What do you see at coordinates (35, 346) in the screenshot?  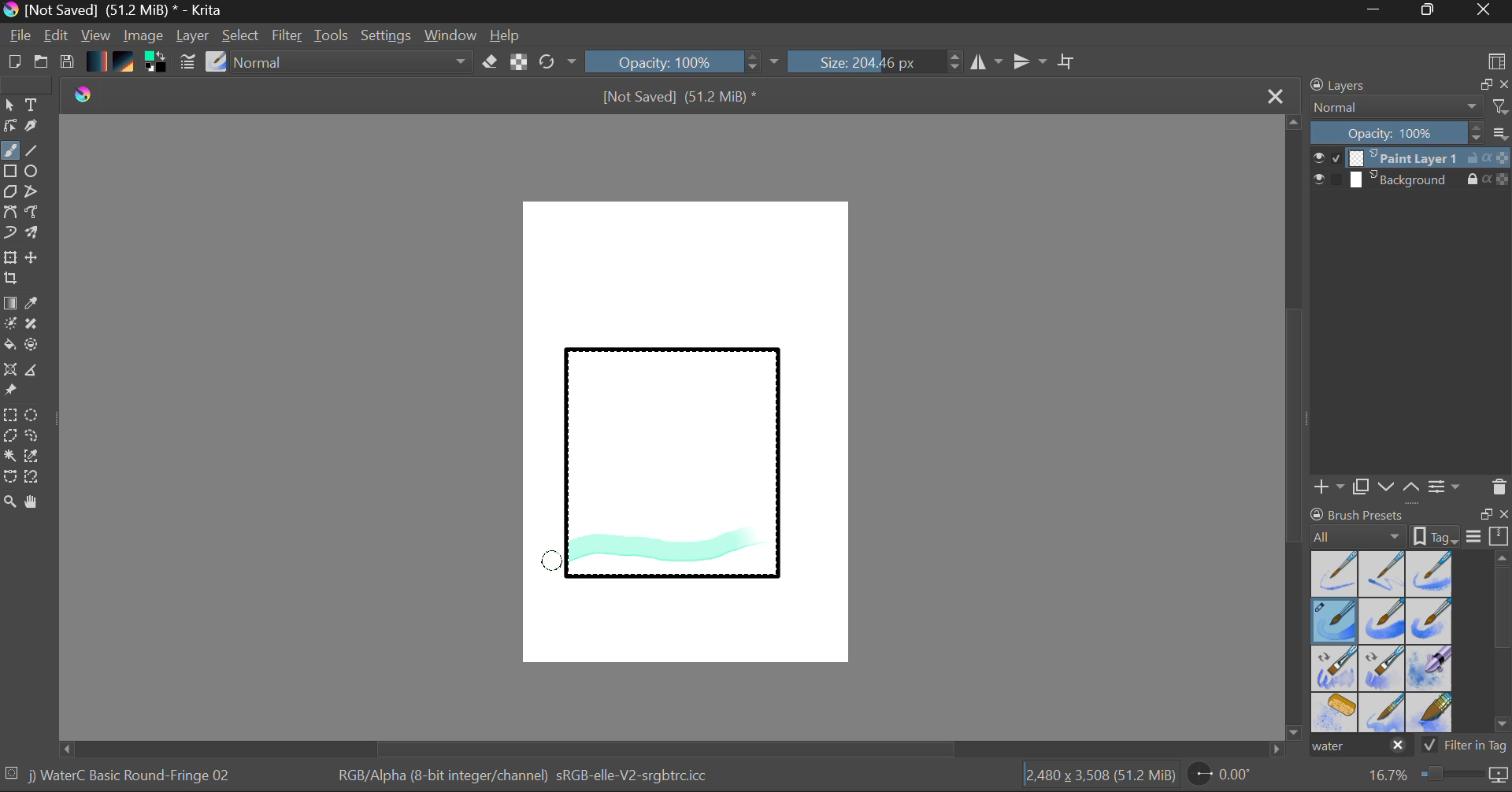 I see `Enclose and Fill` at bounding box center [35, 346].